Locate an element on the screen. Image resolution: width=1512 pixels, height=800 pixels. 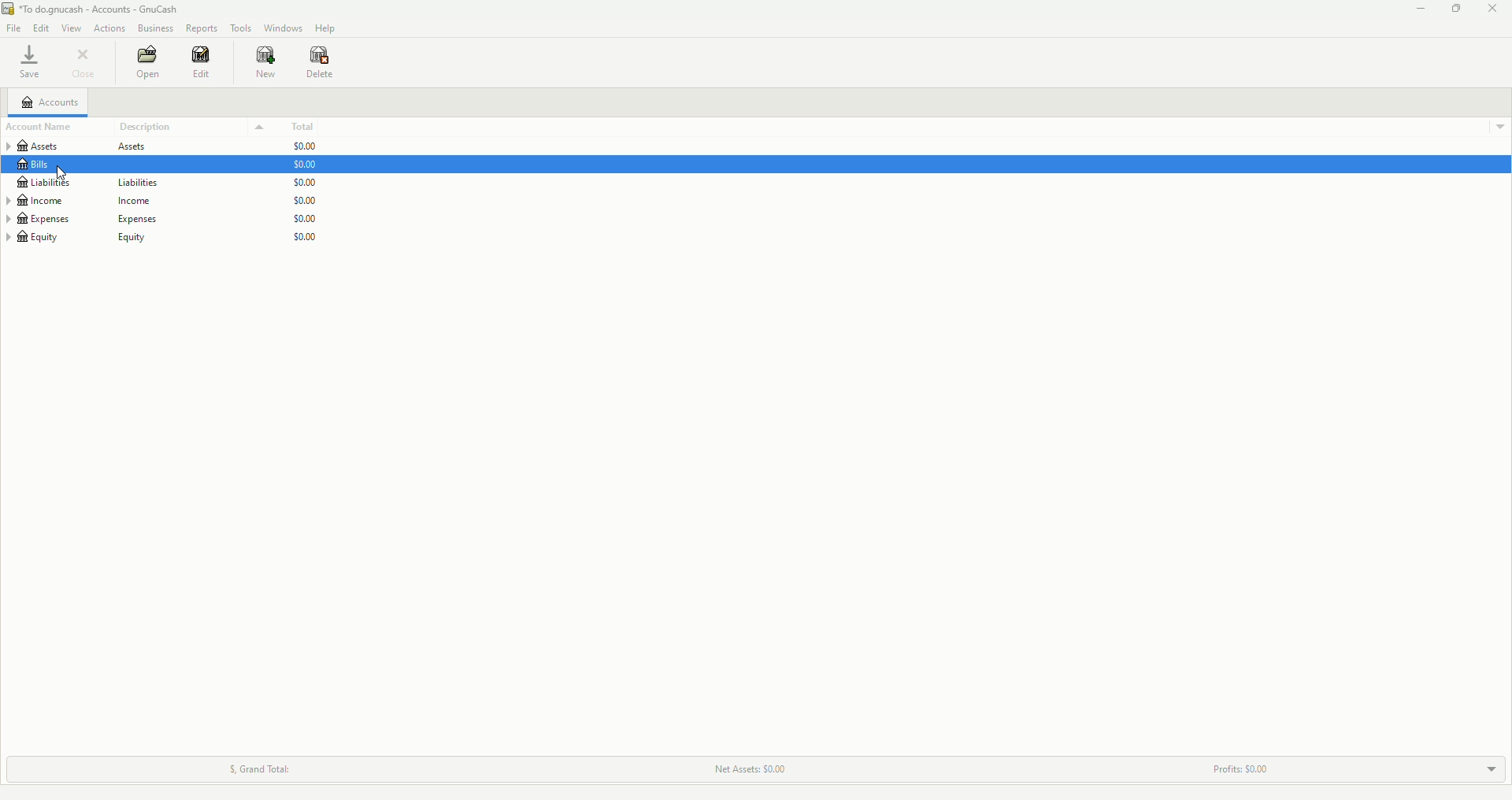
Tools is located at coordinates (243, 28).